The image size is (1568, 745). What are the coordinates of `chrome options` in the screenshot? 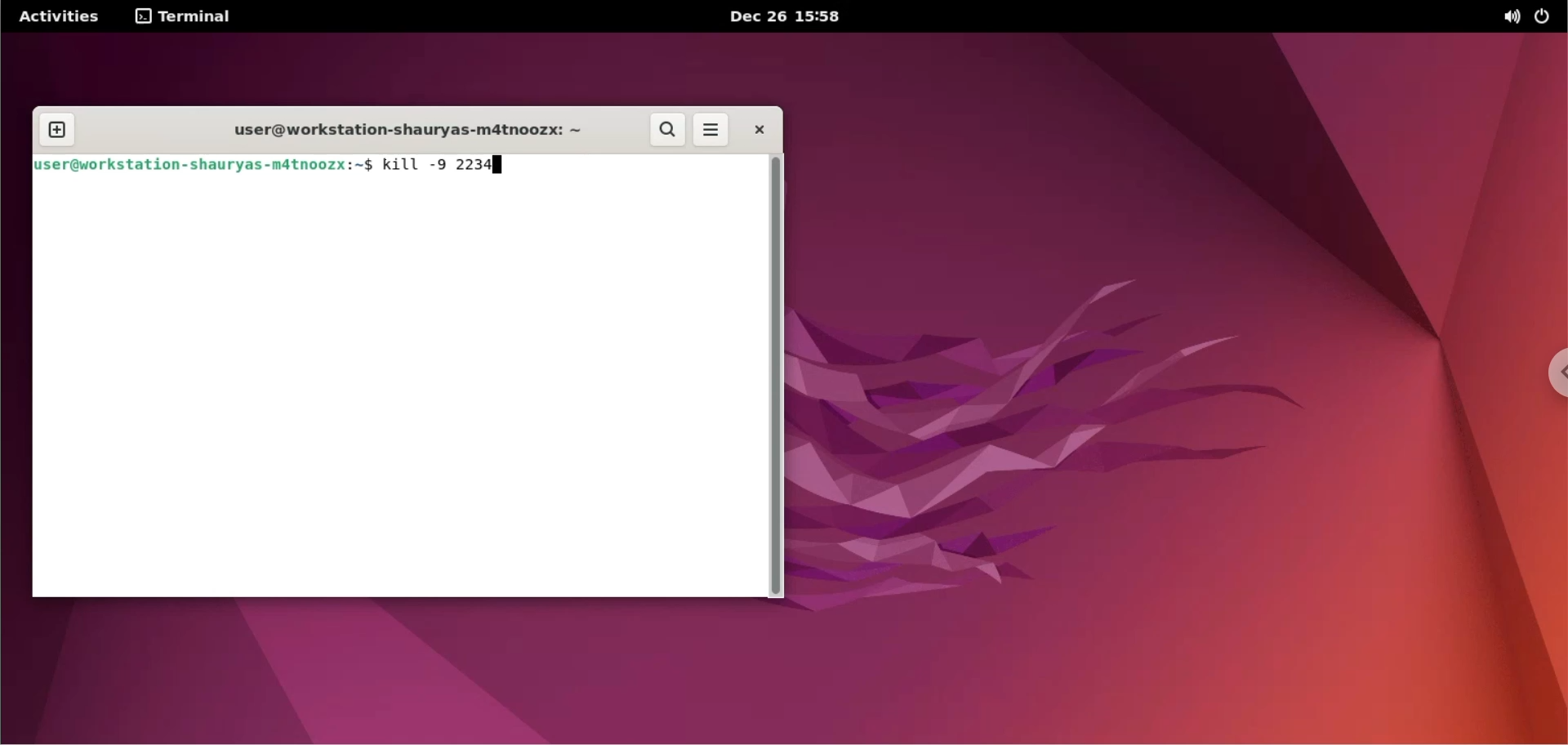 It's located at (1554, 376).